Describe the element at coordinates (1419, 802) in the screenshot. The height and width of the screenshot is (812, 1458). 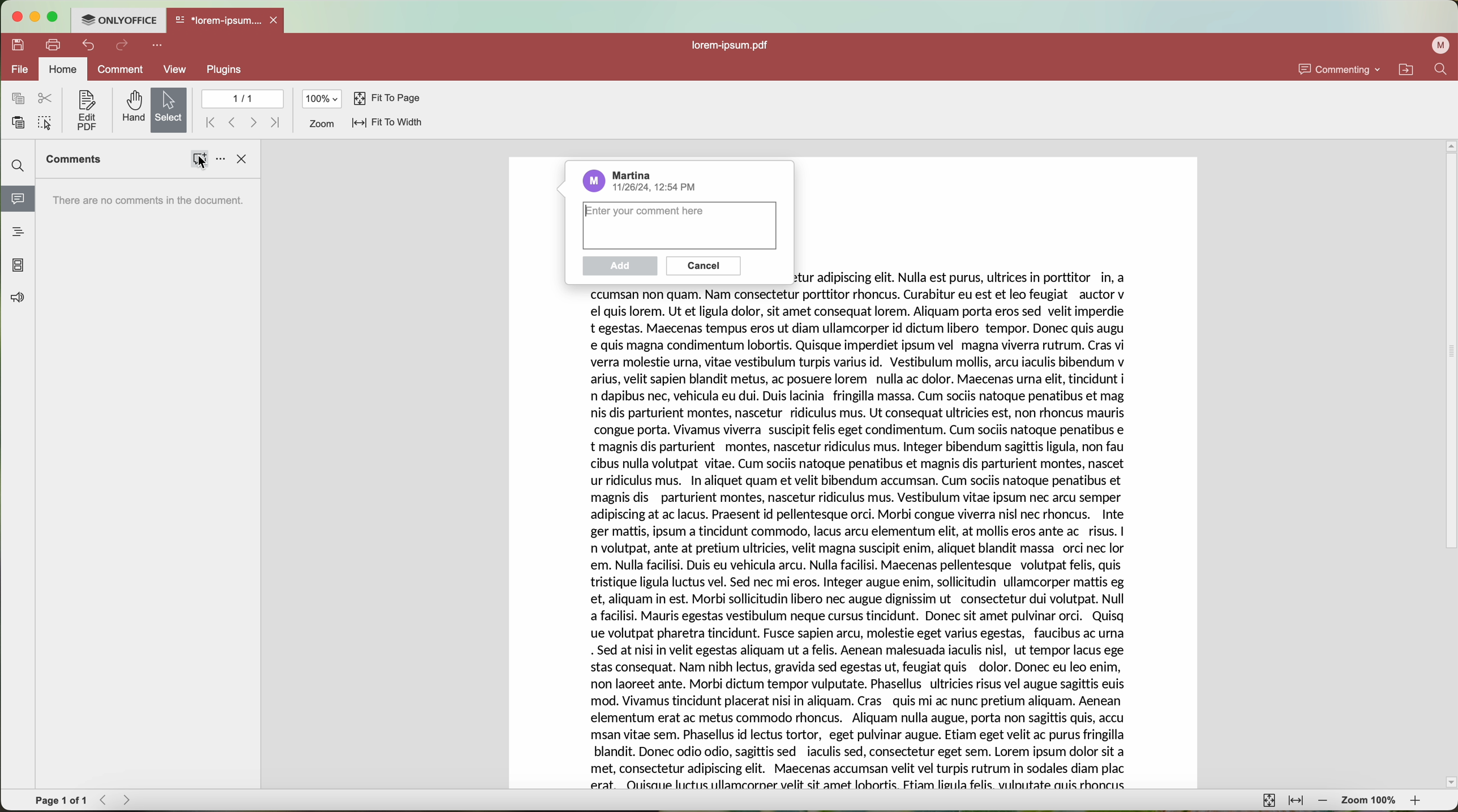
I see `zoom in` at that location.